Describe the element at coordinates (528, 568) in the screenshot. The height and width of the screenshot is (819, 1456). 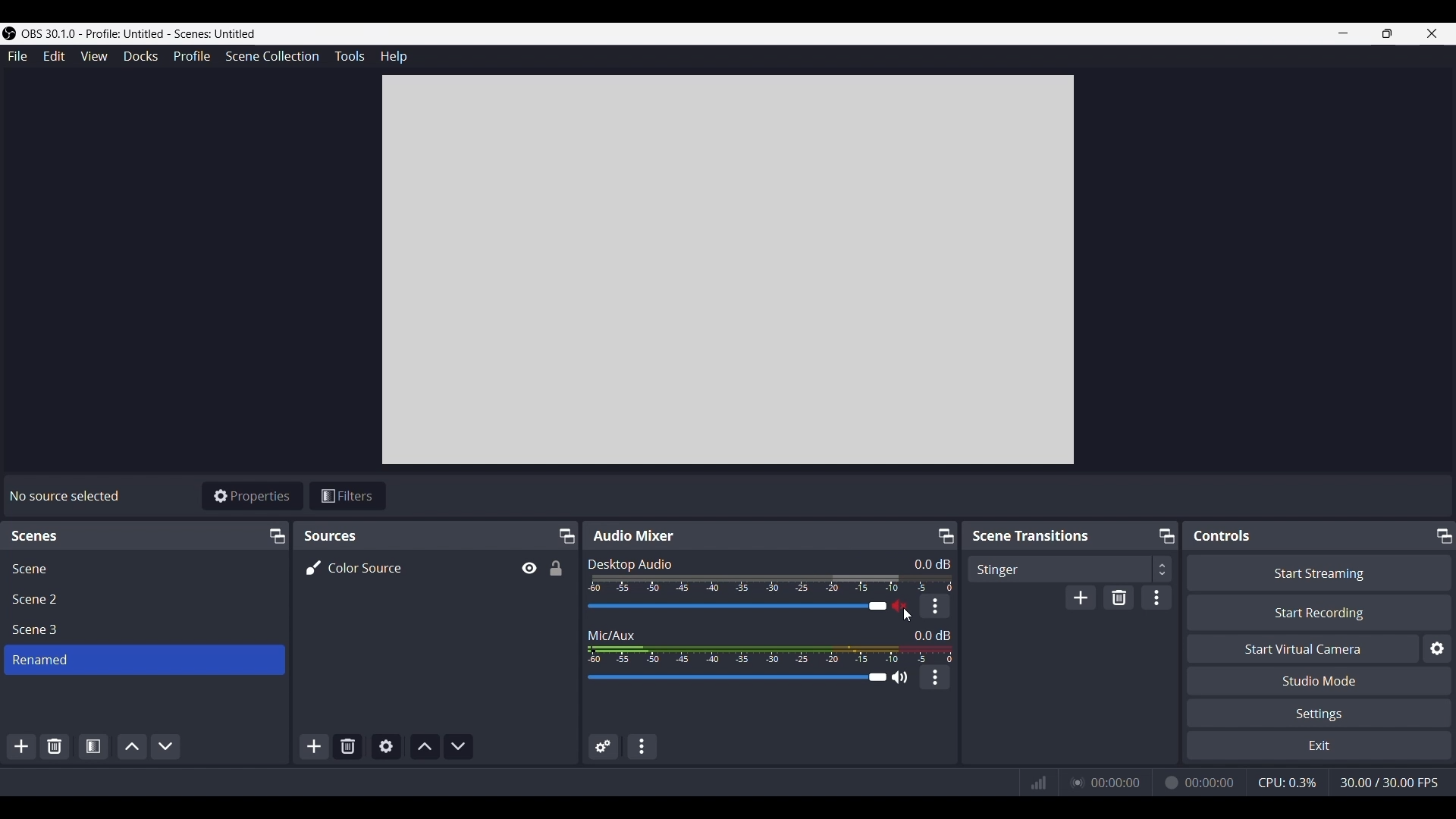
I see `View/Hide source on canvas` at that location.